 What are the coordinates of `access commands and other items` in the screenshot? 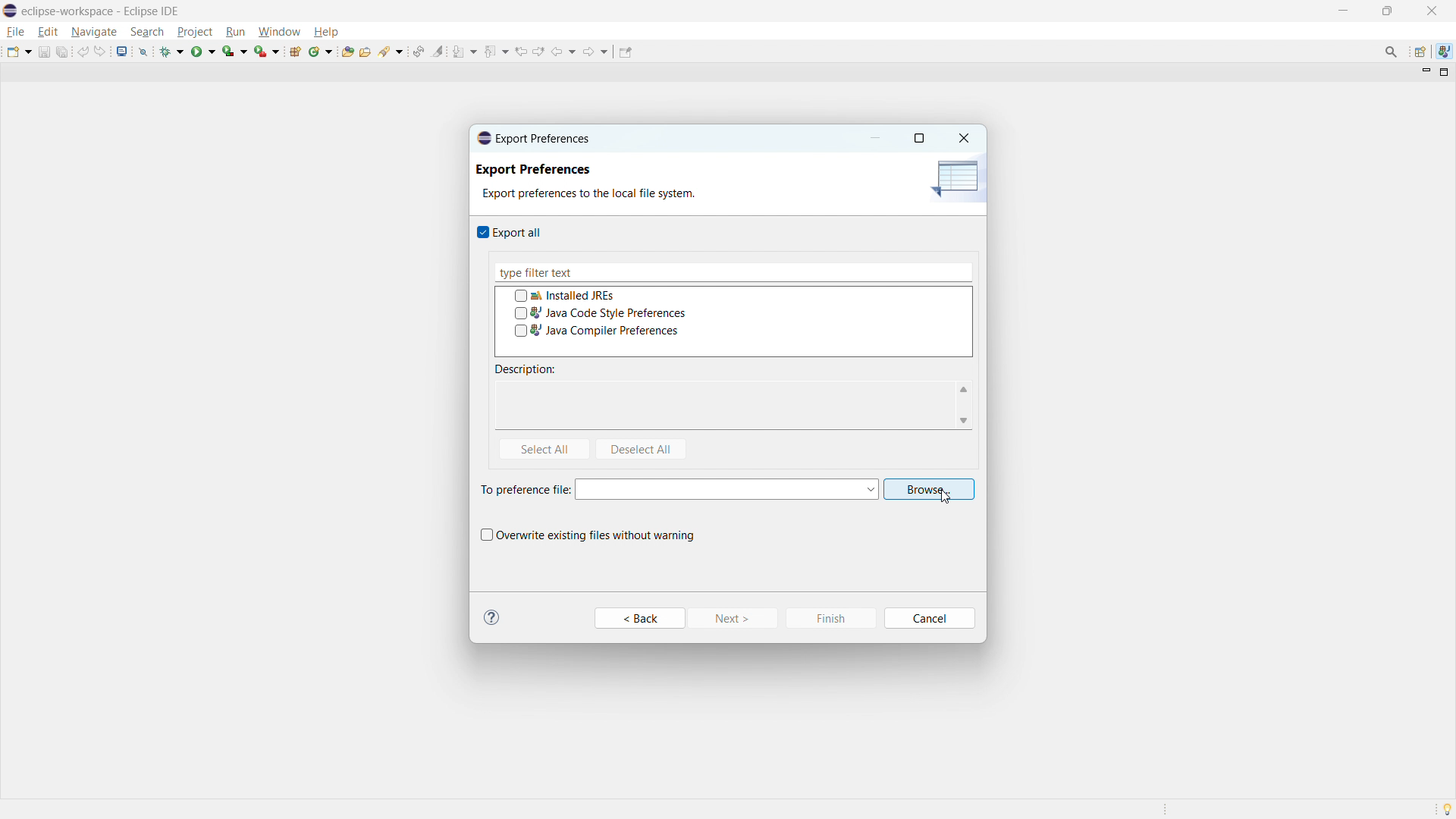 It's located at (1392, 51).